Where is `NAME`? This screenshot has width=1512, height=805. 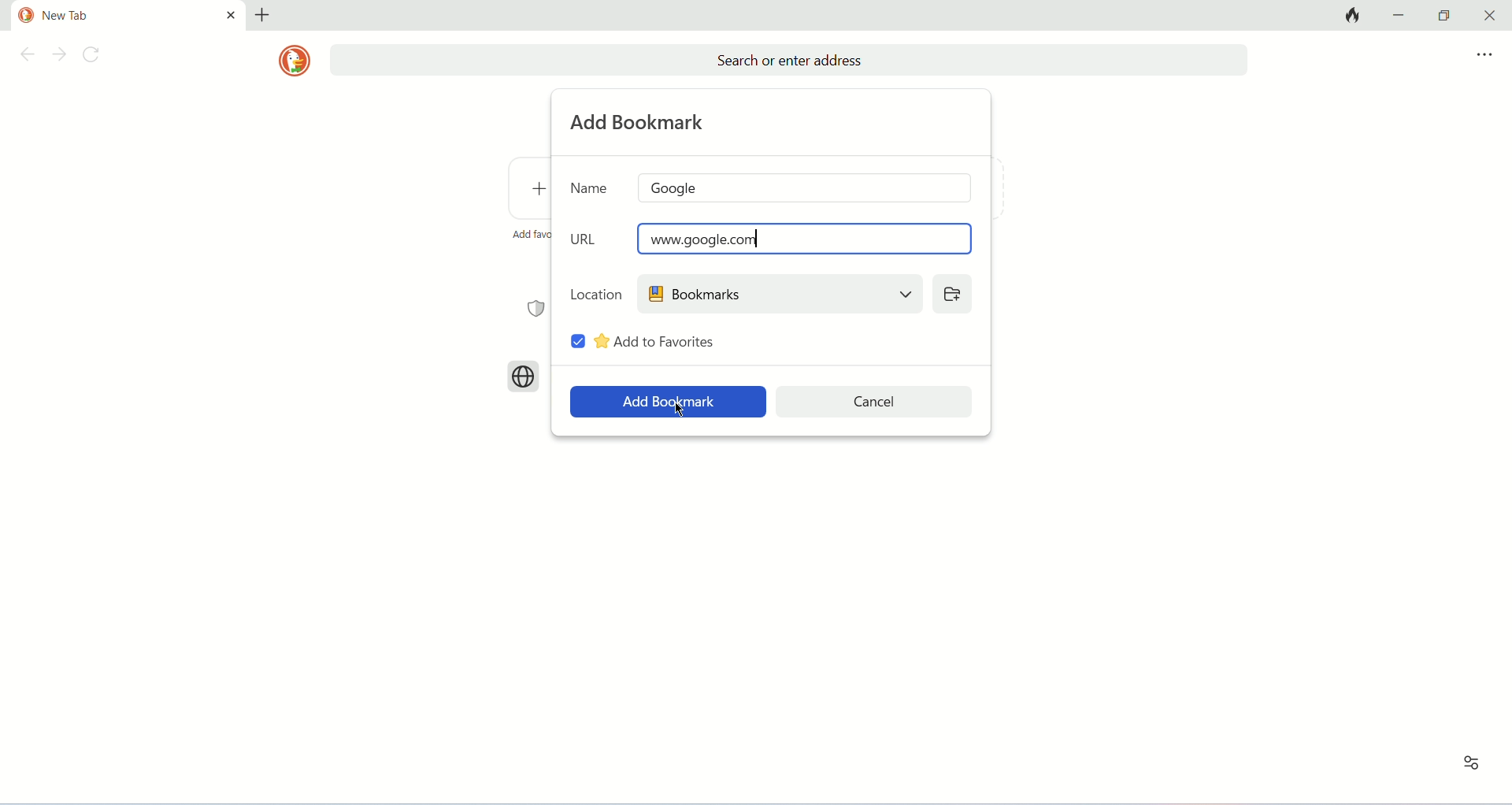
NAME is located at coordinates (590, 187).